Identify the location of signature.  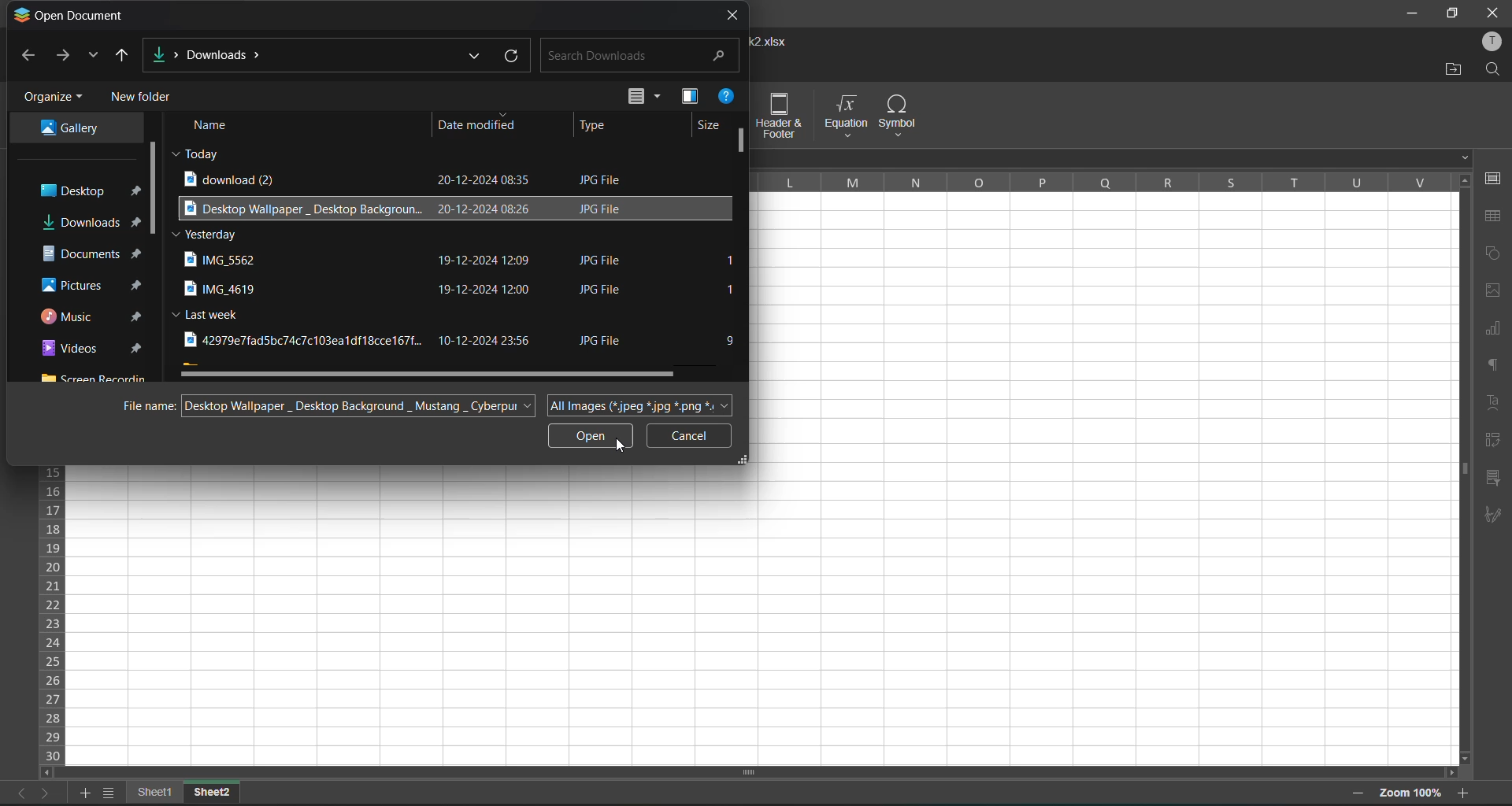
(1495, 514).